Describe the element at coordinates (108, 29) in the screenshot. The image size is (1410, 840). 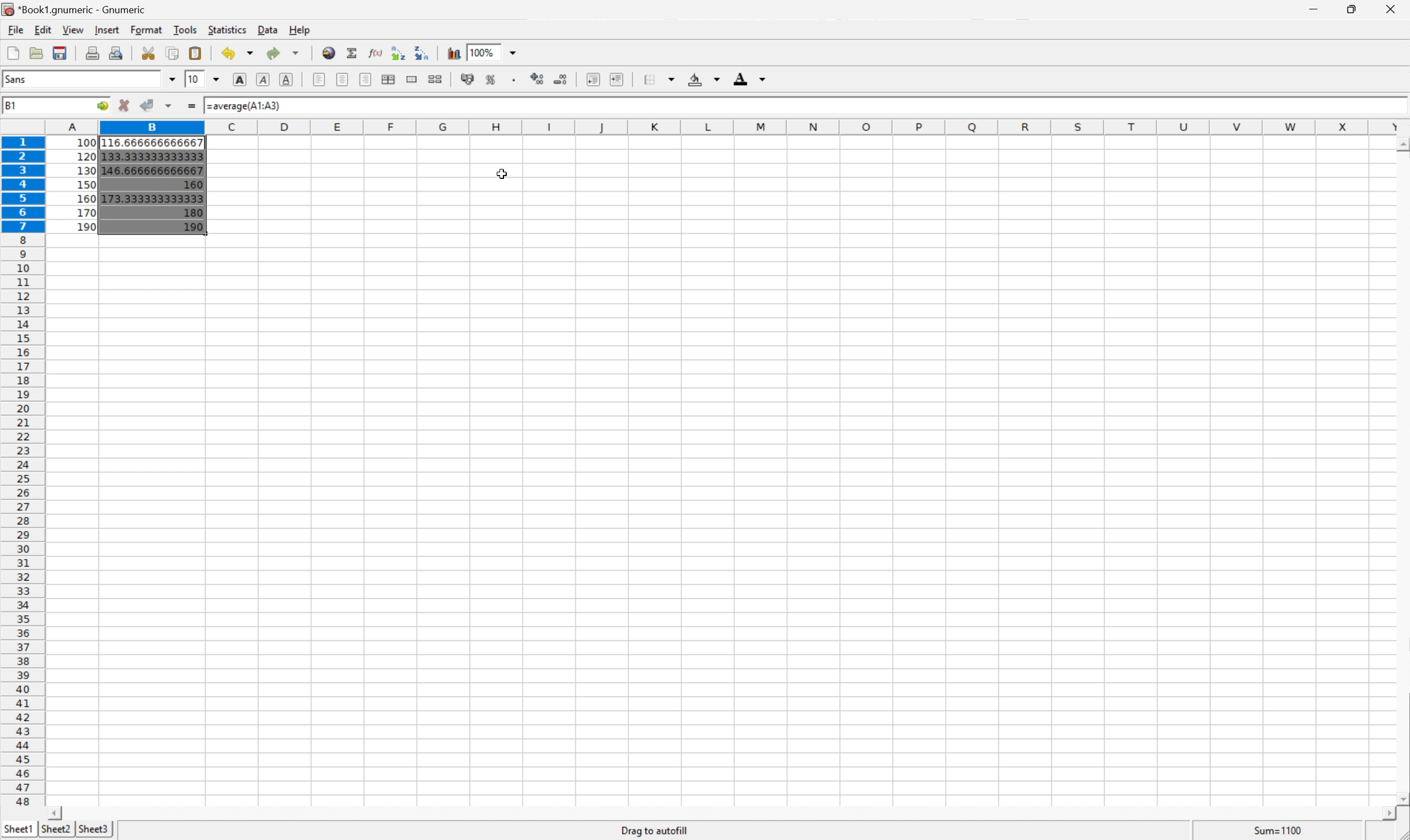
I see `Insert` at that location.